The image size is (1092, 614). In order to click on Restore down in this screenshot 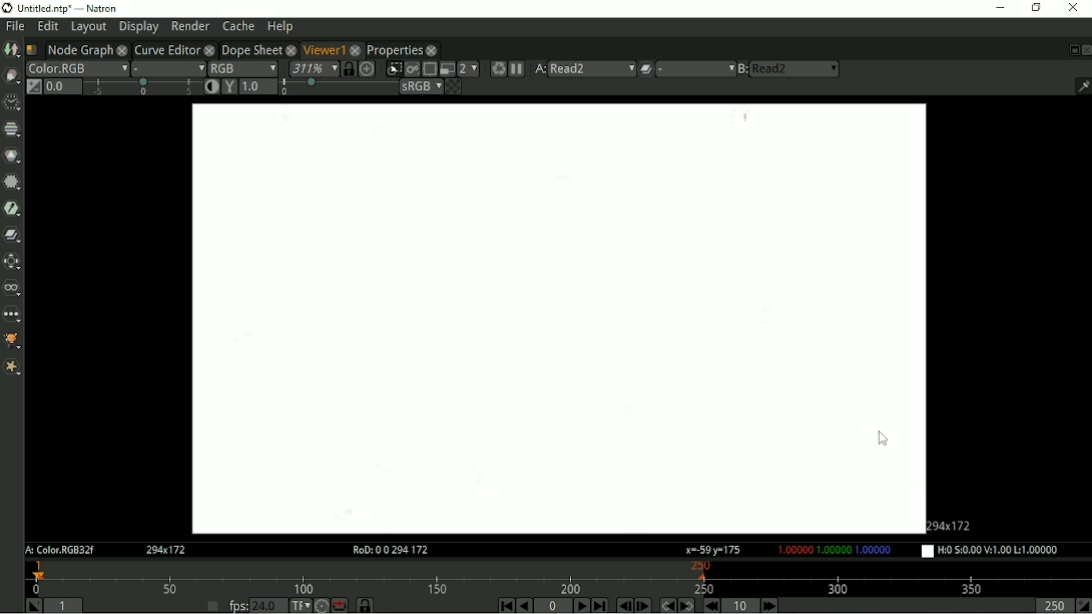, I will do `click(1036, 9)`.